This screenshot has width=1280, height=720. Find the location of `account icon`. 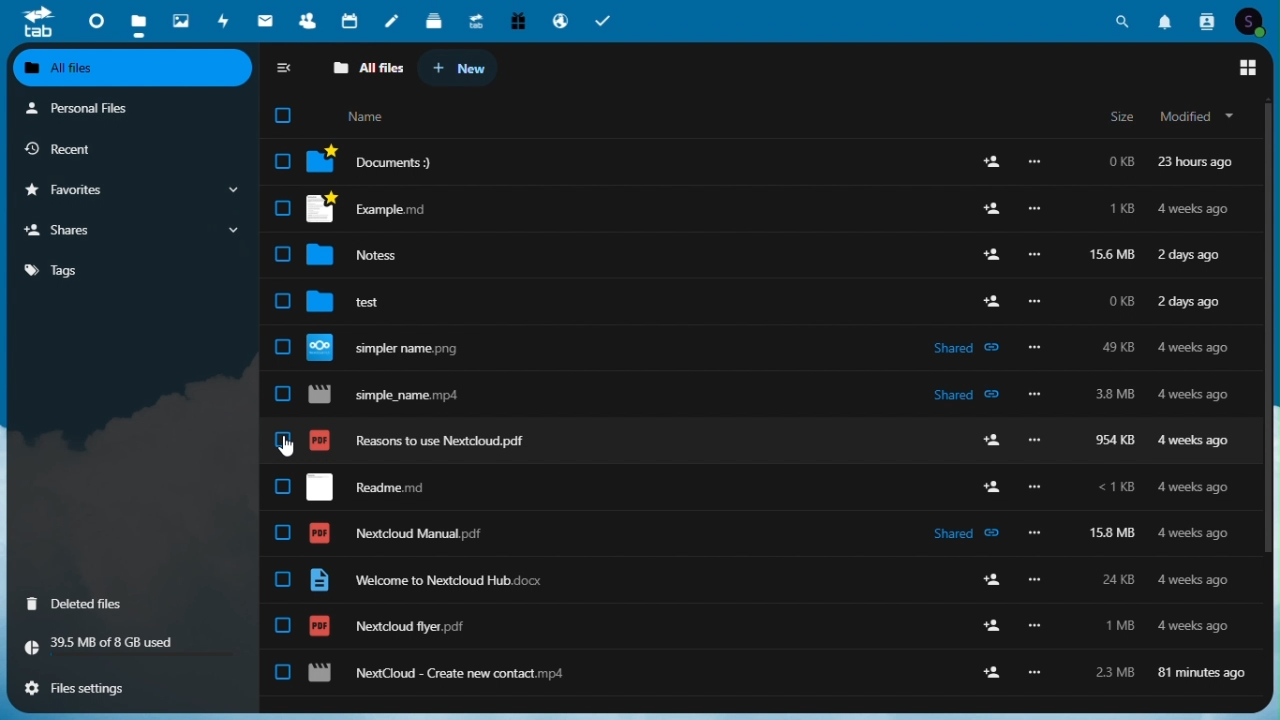

account icon is located at coordinates (1254, 21).